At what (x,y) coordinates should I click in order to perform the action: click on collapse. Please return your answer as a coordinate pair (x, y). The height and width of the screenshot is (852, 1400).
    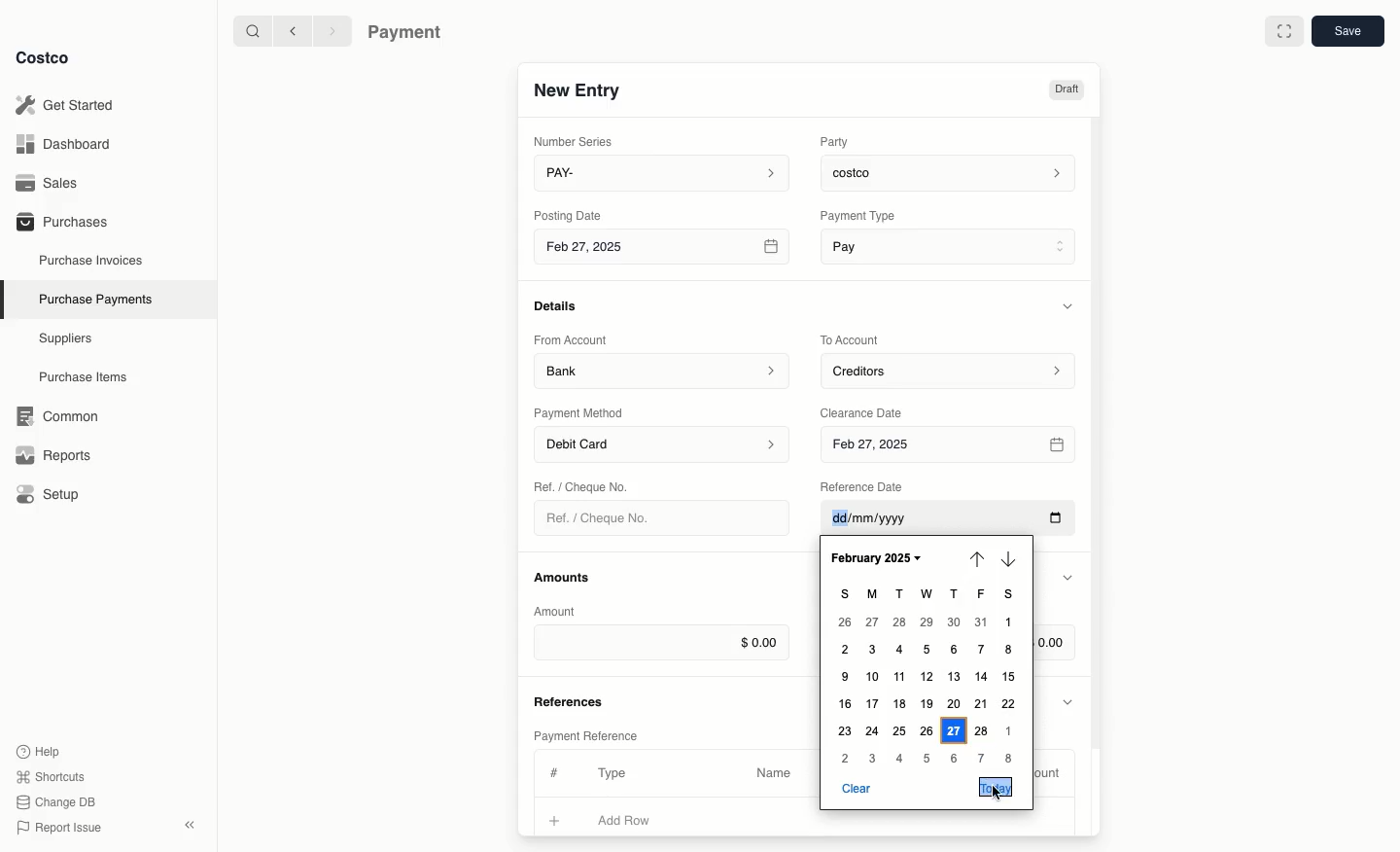
    Looking at the image, I should click on (189, 825).